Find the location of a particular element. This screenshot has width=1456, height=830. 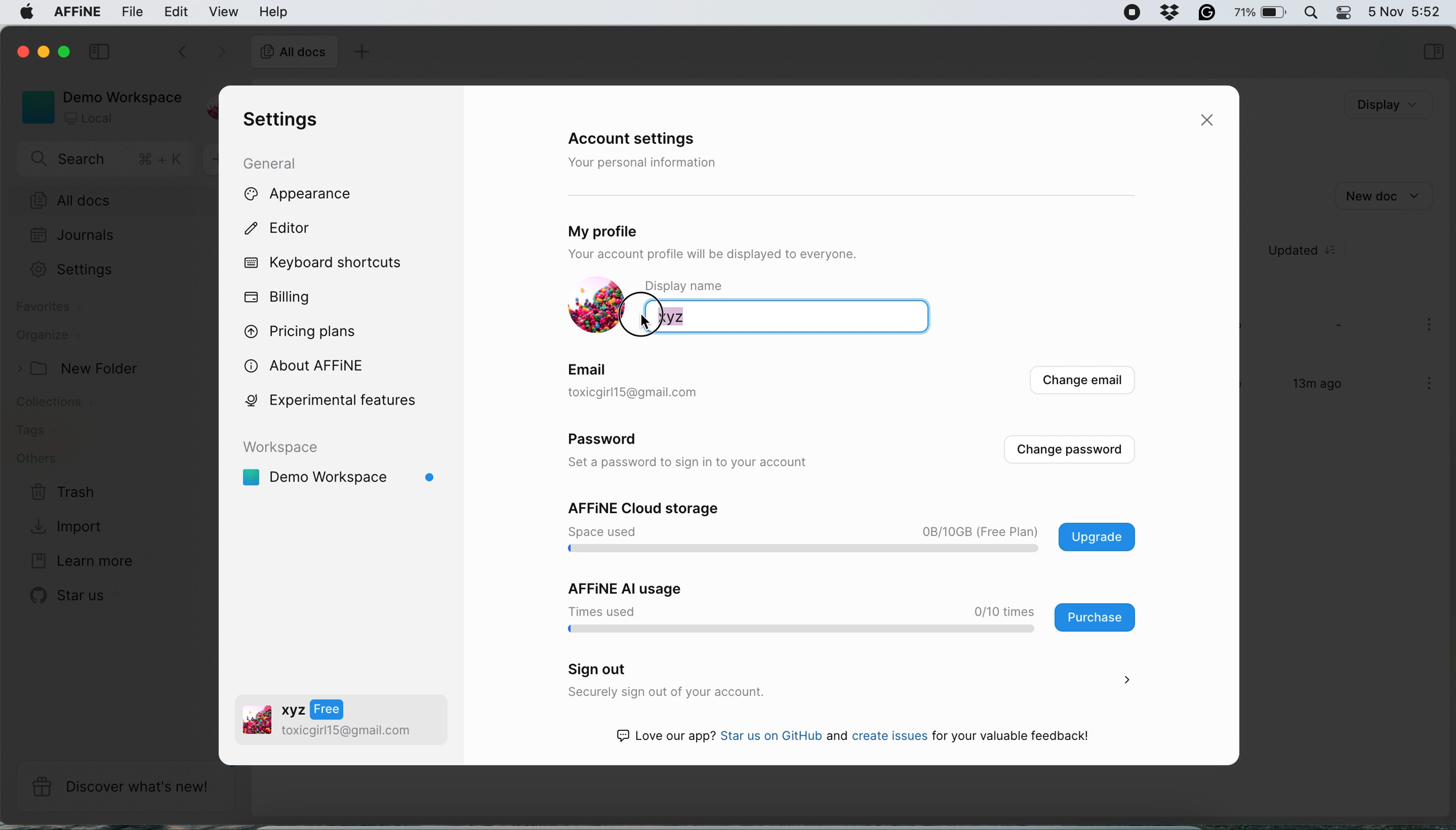

import is located at coordinates (70, 525).